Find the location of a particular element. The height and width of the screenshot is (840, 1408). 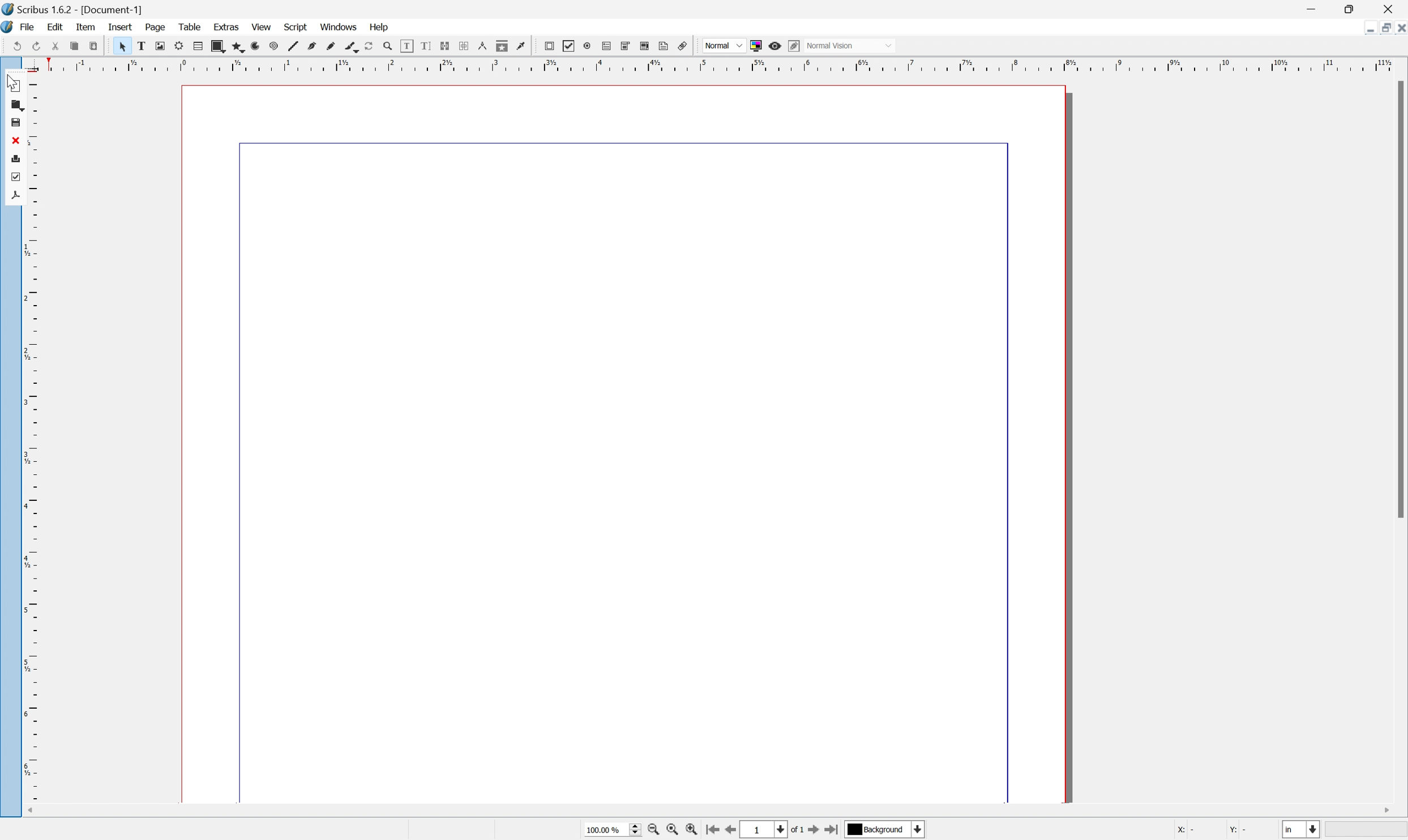

toggle color in preview mode is located at coordinates (756, 45).